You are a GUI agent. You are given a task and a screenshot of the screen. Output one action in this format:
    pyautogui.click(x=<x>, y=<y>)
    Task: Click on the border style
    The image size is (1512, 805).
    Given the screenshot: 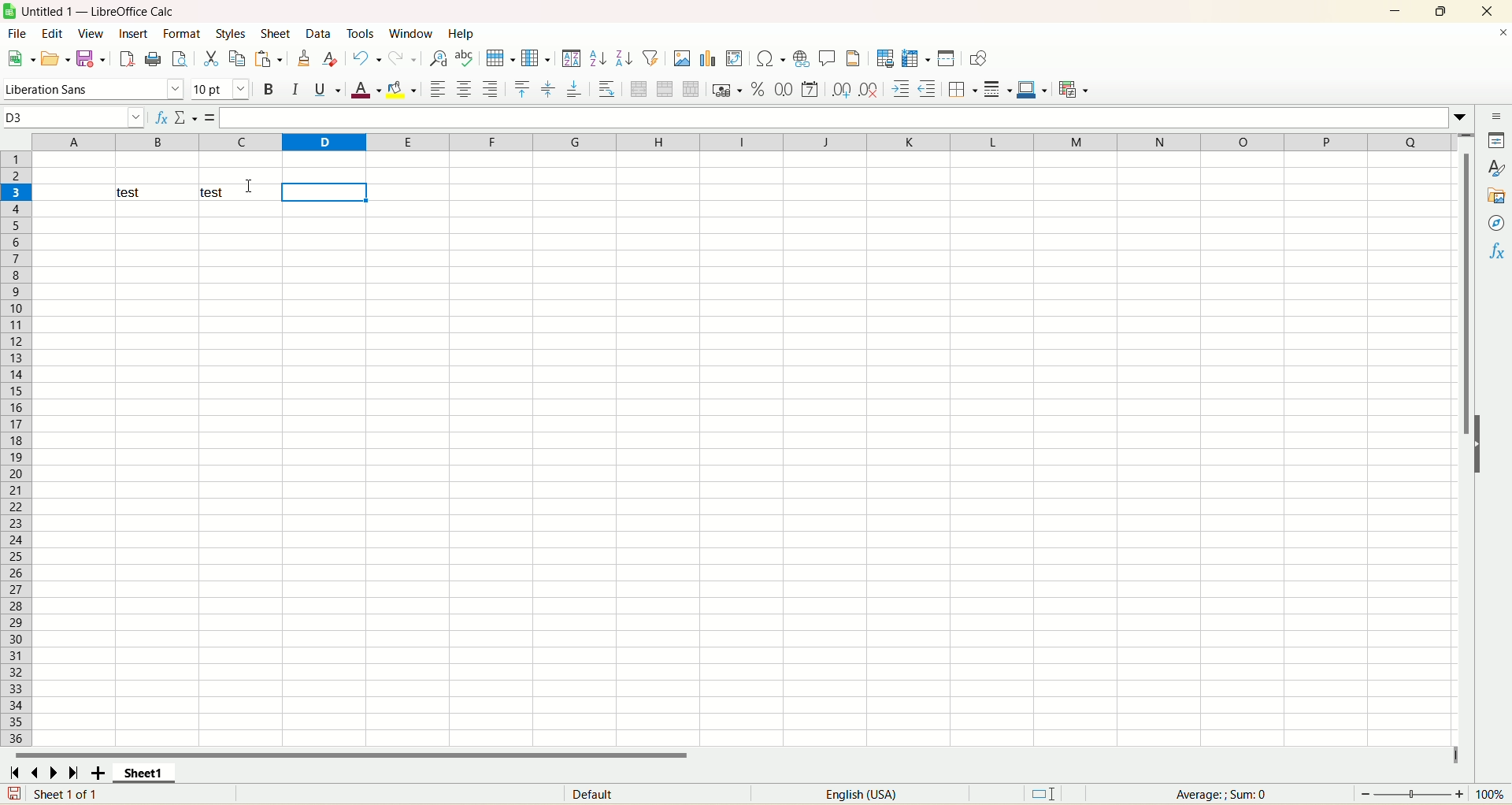 What is the action you would take?
    pyautogui.click(x=998, y=89)
    